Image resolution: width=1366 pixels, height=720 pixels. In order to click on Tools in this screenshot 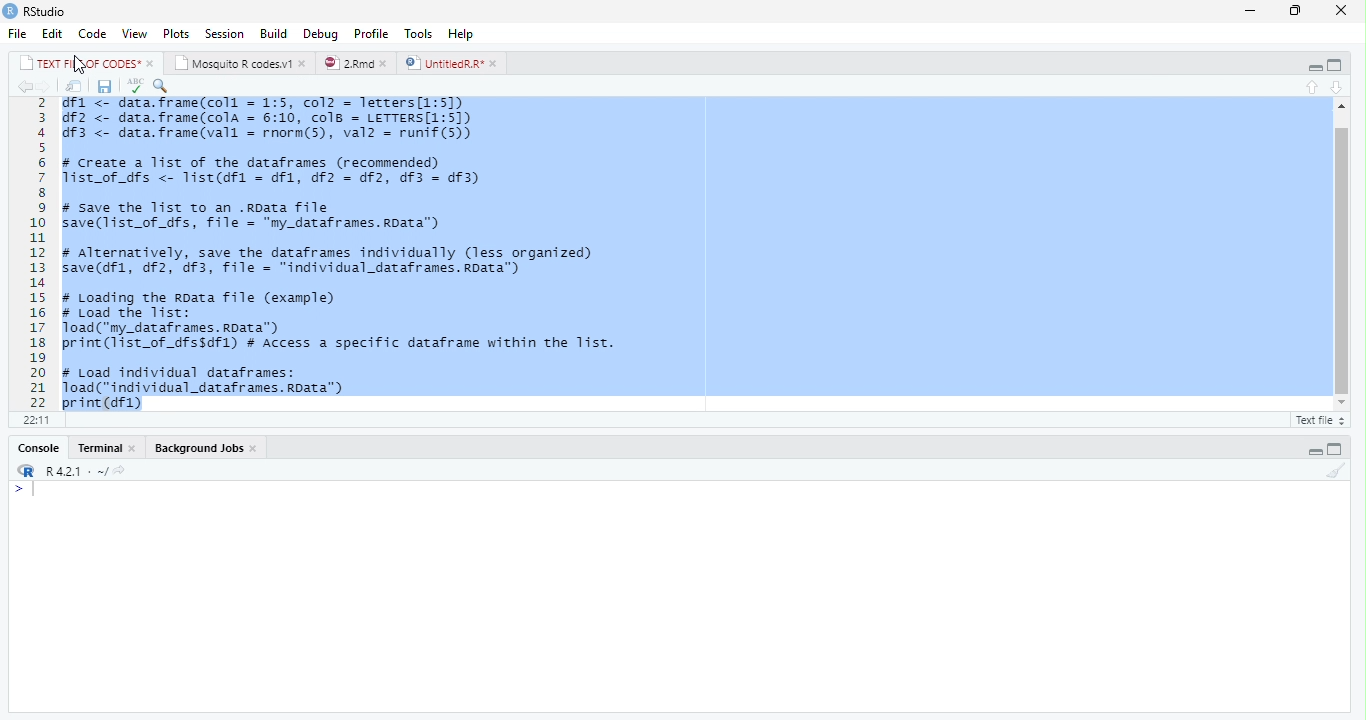, I will do `click(421, 33)`.